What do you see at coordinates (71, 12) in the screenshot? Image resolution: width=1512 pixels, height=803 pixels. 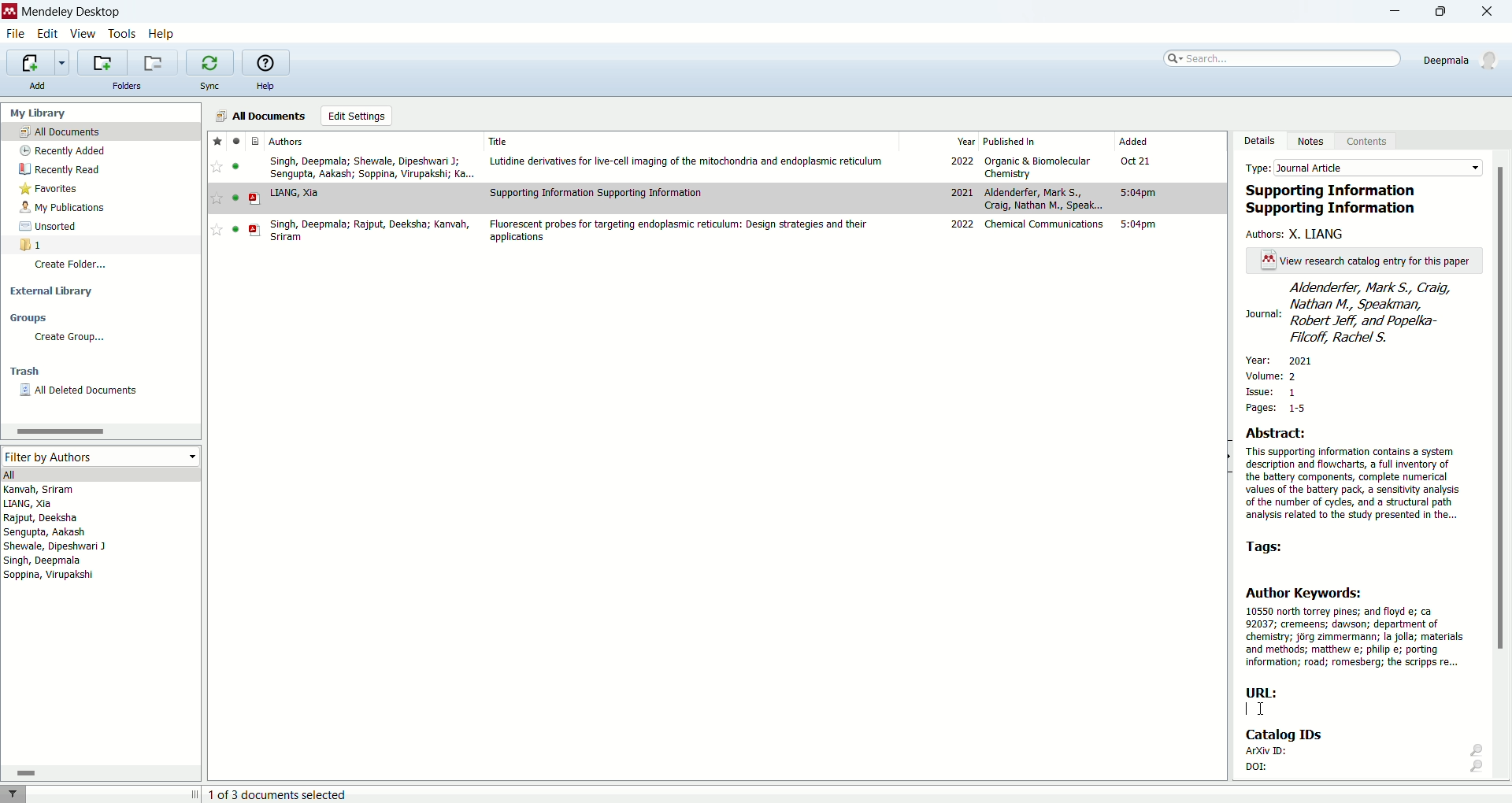 I see `mendeley desktop` at bounding box center [71, 12].